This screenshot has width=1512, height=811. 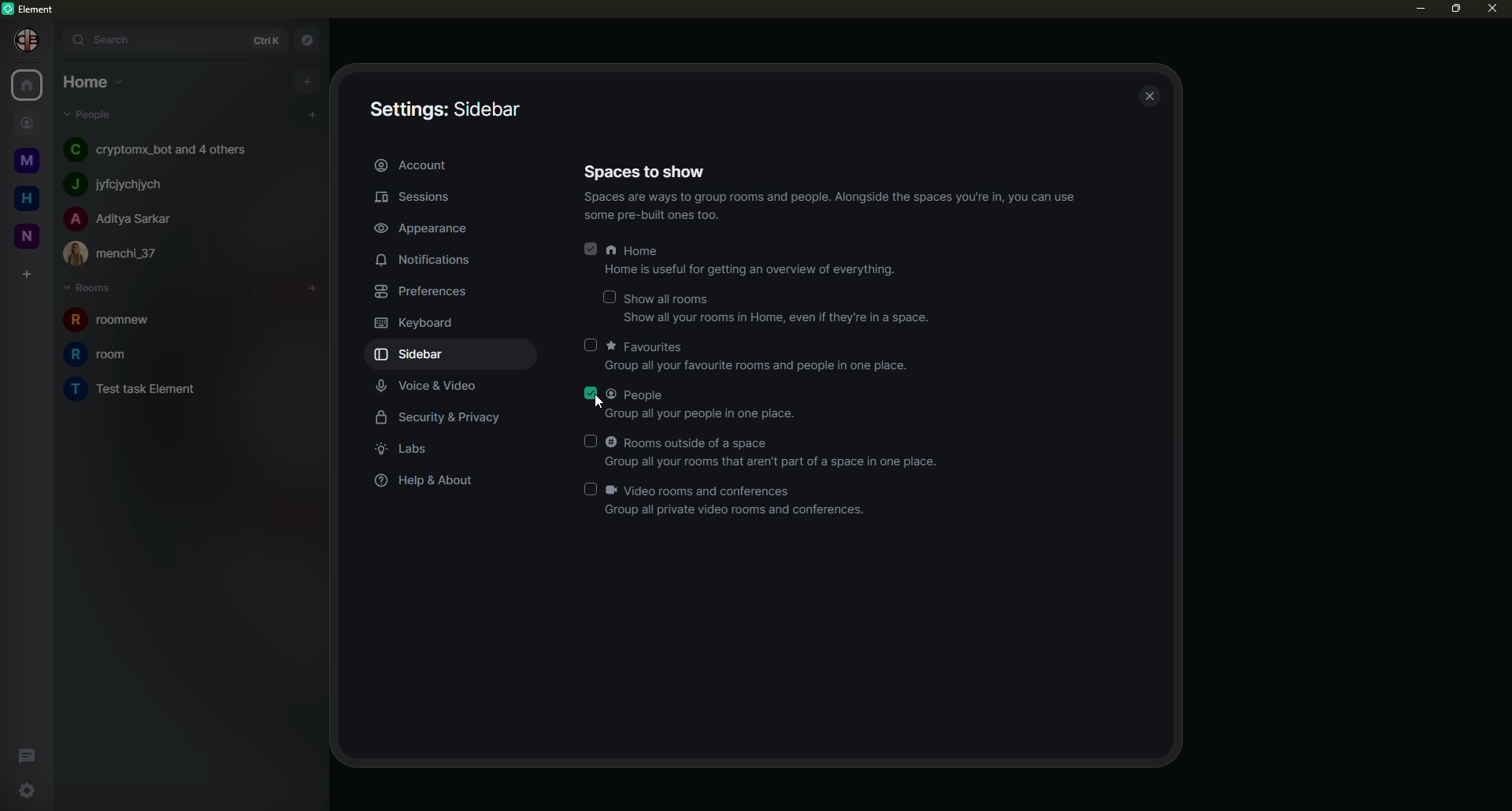 What do you see at coordinates (312, 116) in the screenshot?
I see `add` at bounding box center [312, 116].